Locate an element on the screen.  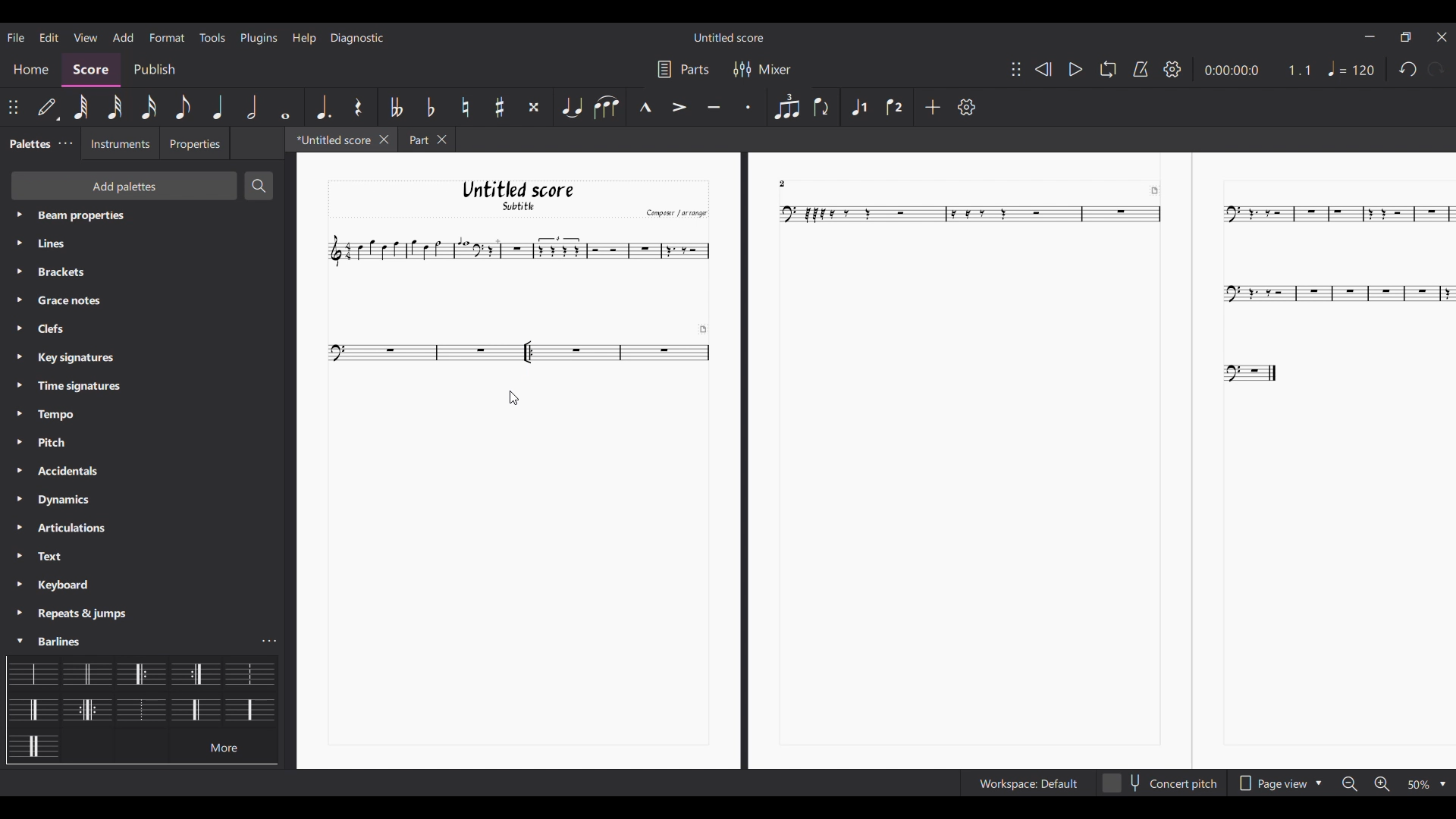
Add is located at coordinates (933, 107).